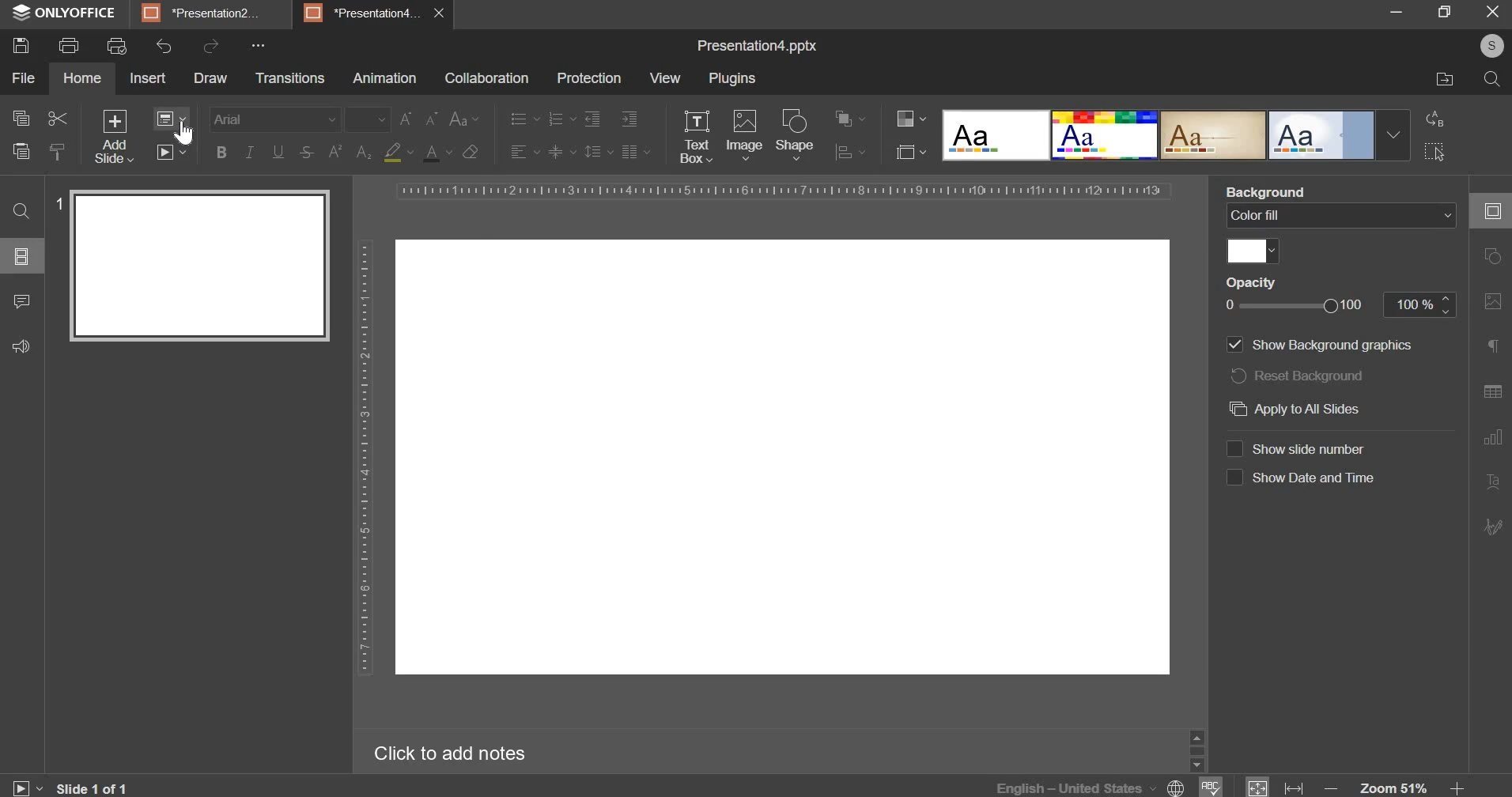  Describe the element at coordinates (148, 79) in the screenshot. I see `insert` at that location.